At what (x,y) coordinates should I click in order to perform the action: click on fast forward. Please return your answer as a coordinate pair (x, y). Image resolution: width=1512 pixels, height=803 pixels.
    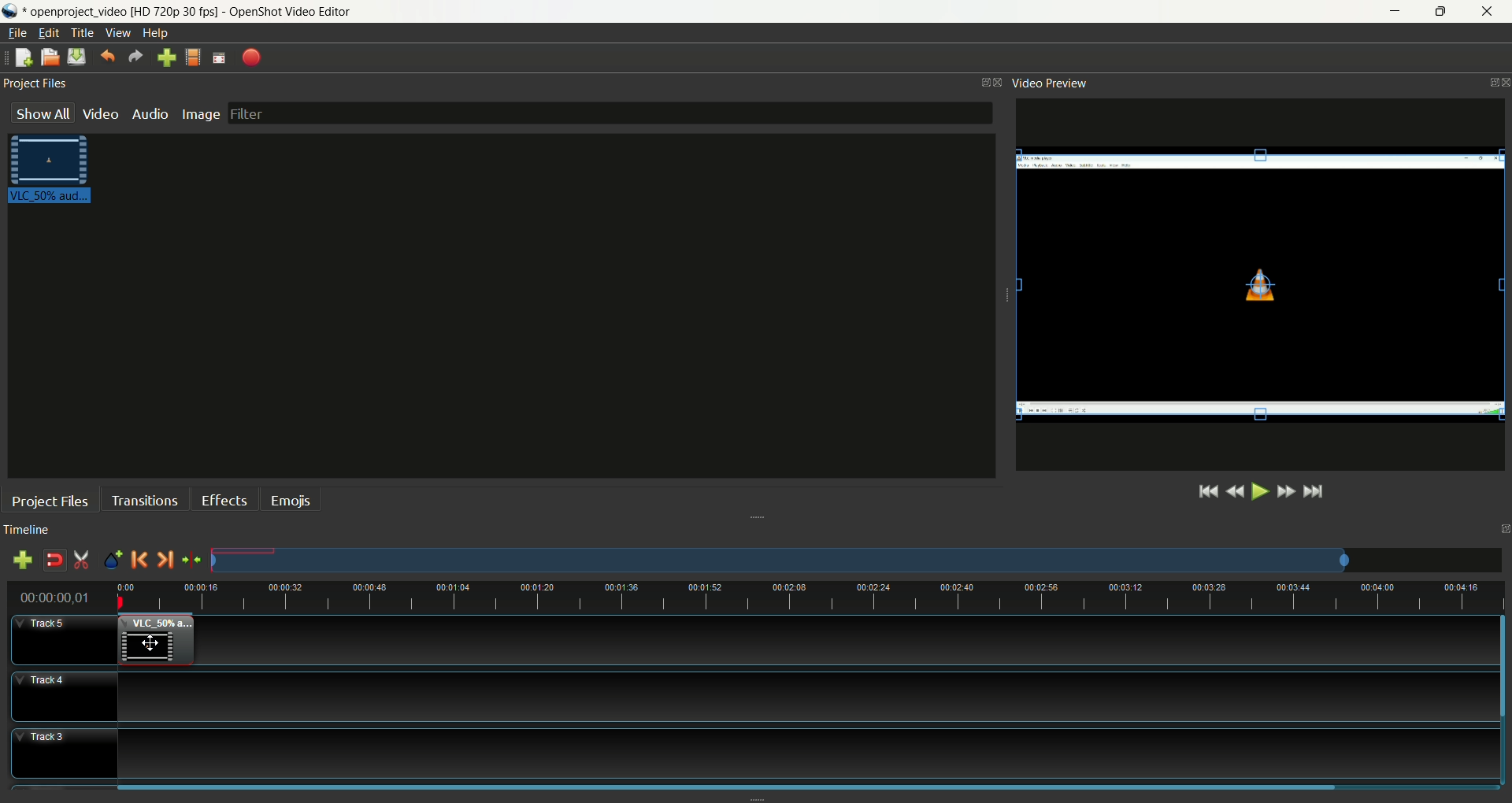
    Looking at the image, I should click on (1289, 494).